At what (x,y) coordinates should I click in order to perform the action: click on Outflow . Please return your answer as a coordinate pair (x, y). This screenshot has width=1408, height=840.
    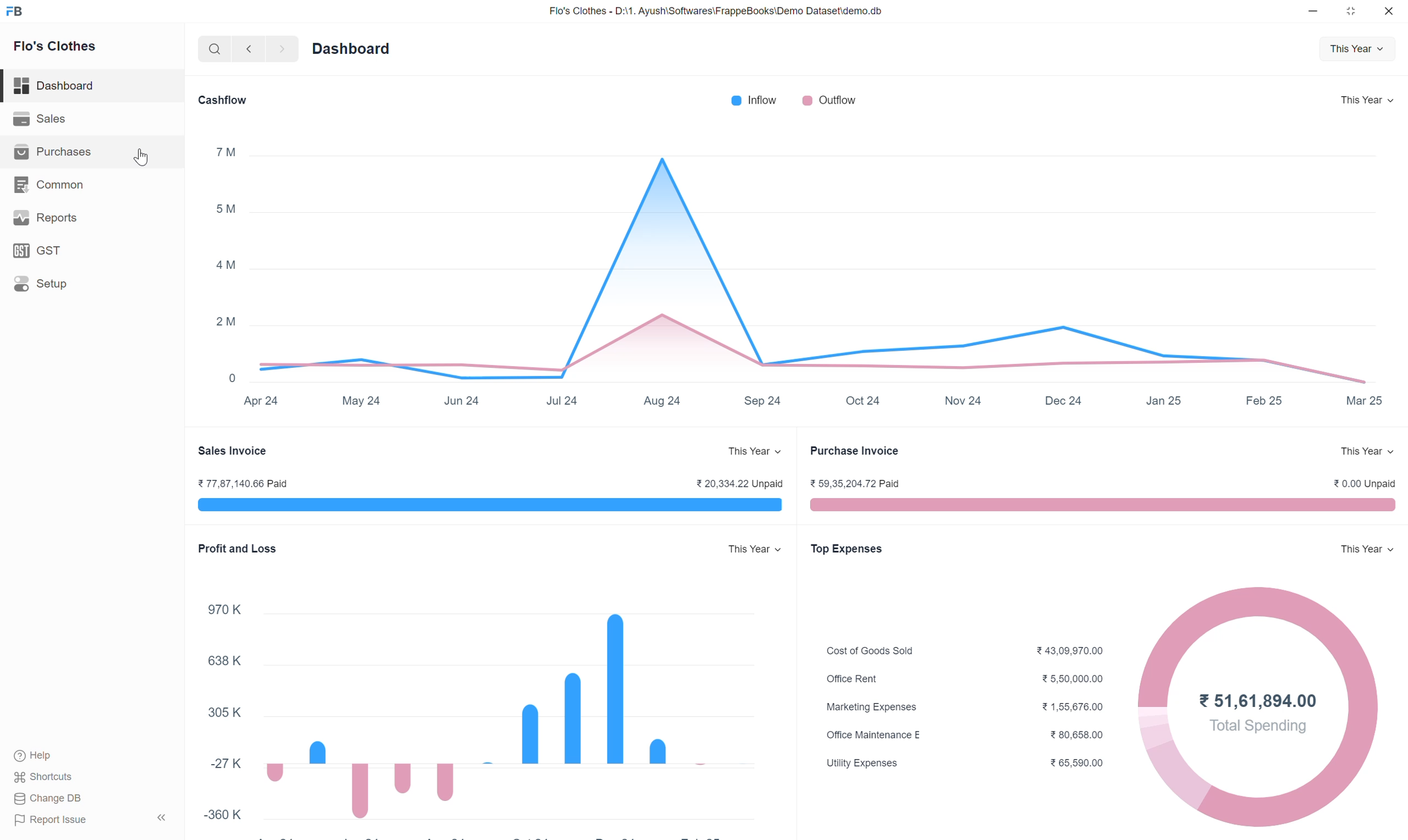
    Looking at the image, I should click on (828, 100).